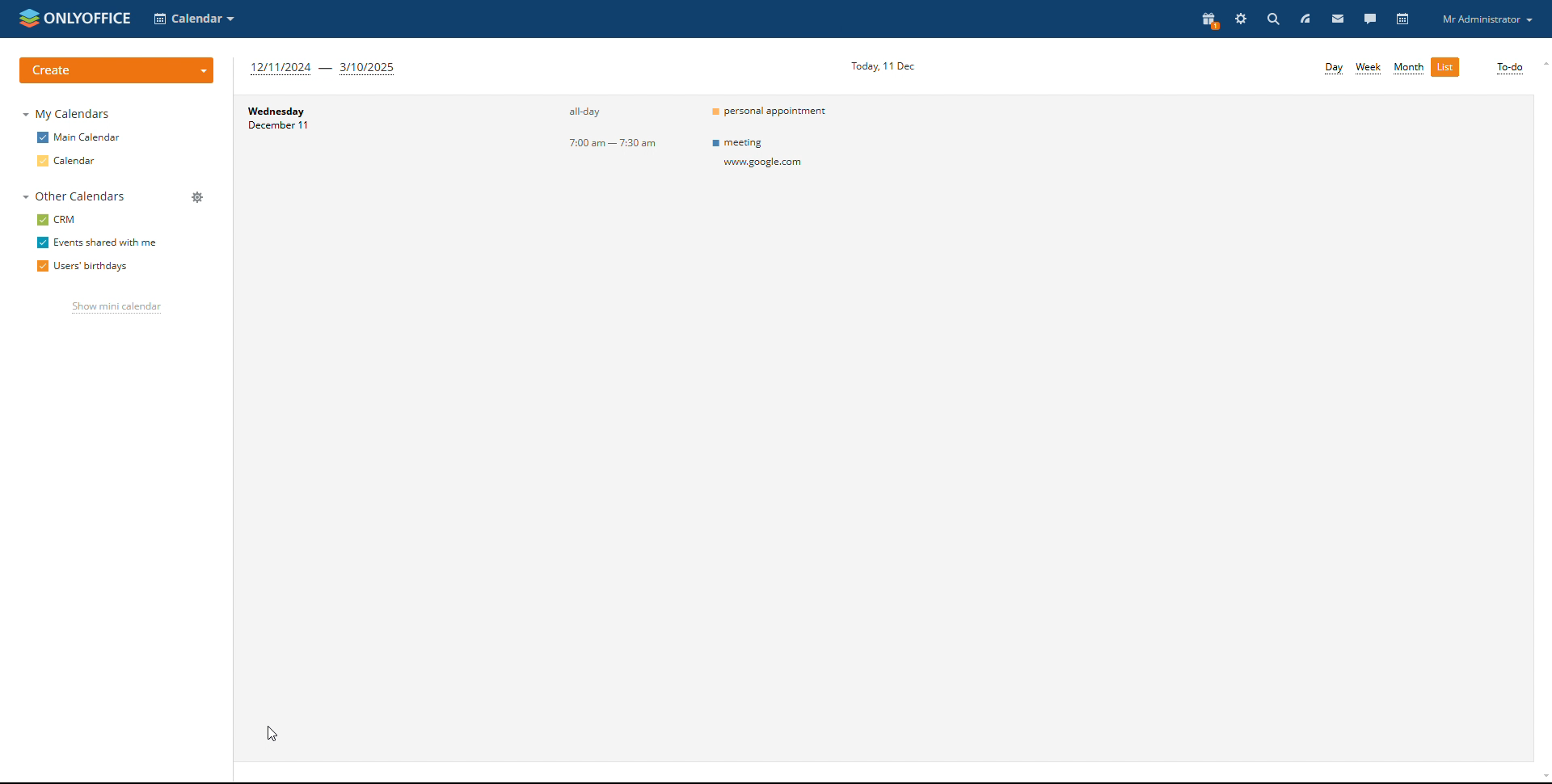  What do you see at coordinates (197, 199) in the screenshot?
I see `manage` at bounding box center [197, 199].